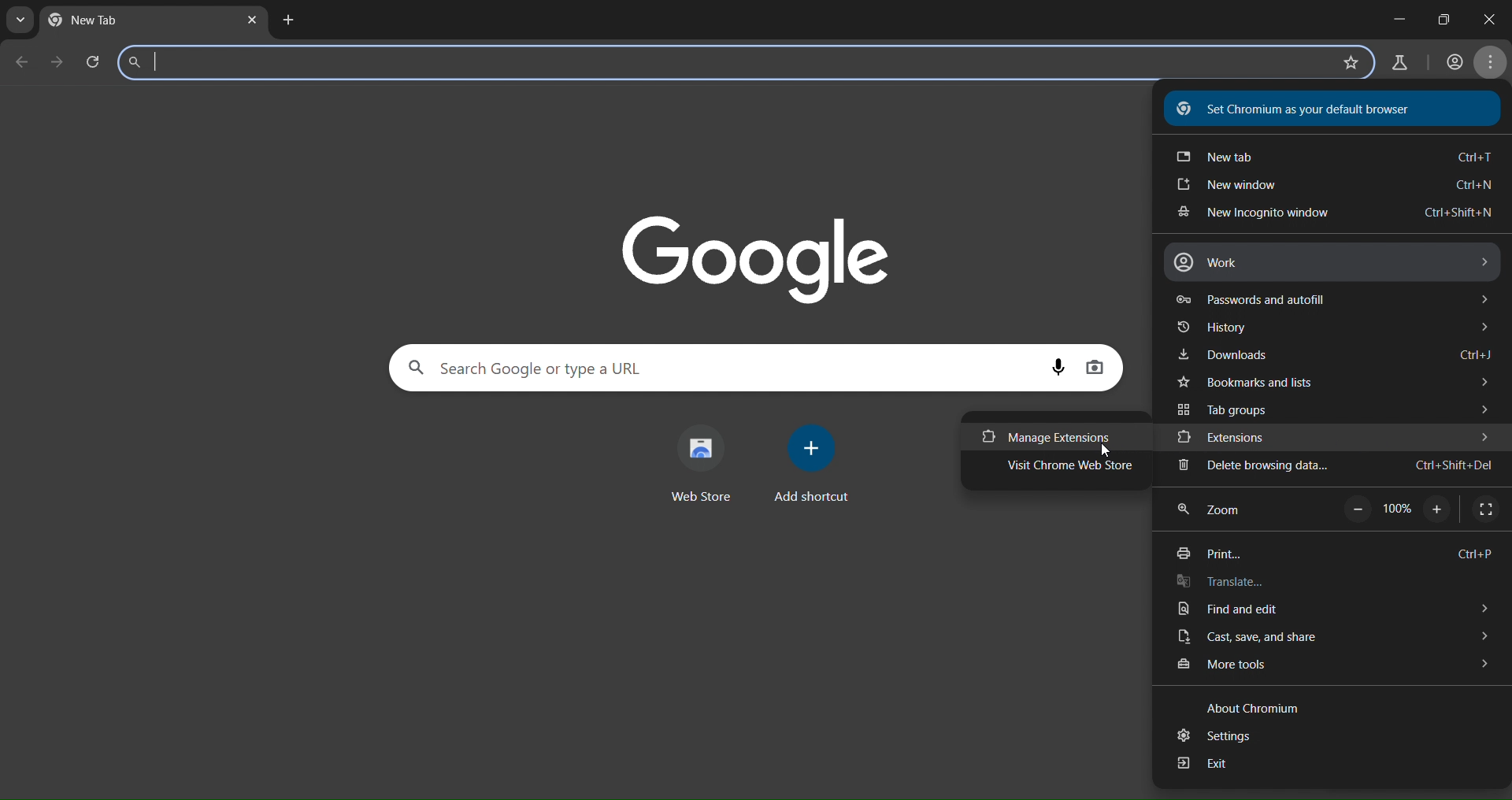 This screenshot has width=1512, height=800. What do you see at coordinates (817, 467) in the screenshot?
I see `add shortcut` at bounding box center [817, 467].